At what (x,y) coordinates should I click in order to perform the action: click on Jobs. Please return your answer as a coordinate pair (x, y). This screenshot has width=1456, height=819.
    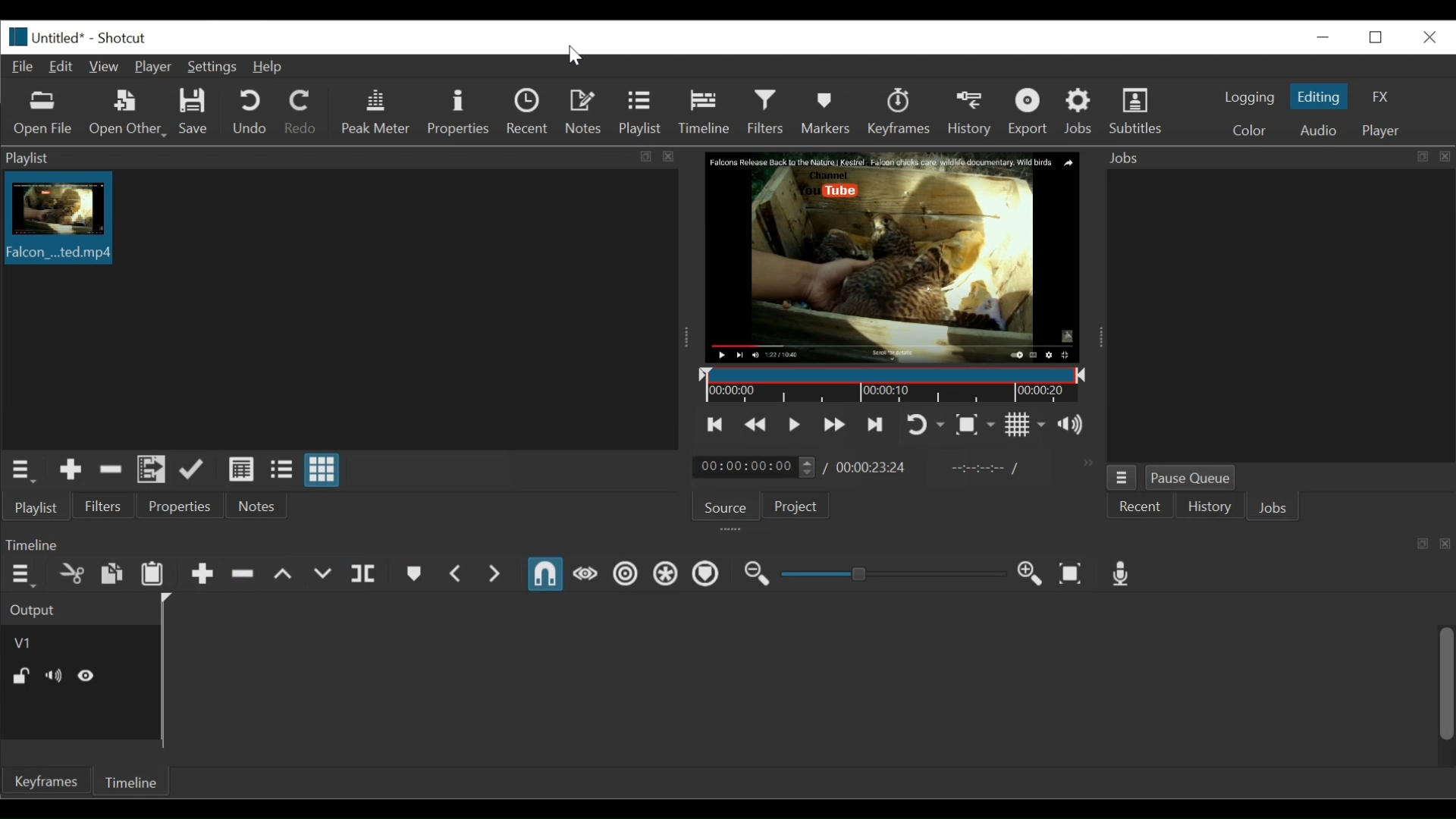
    Looking at the image, I should click on (1081, 114).